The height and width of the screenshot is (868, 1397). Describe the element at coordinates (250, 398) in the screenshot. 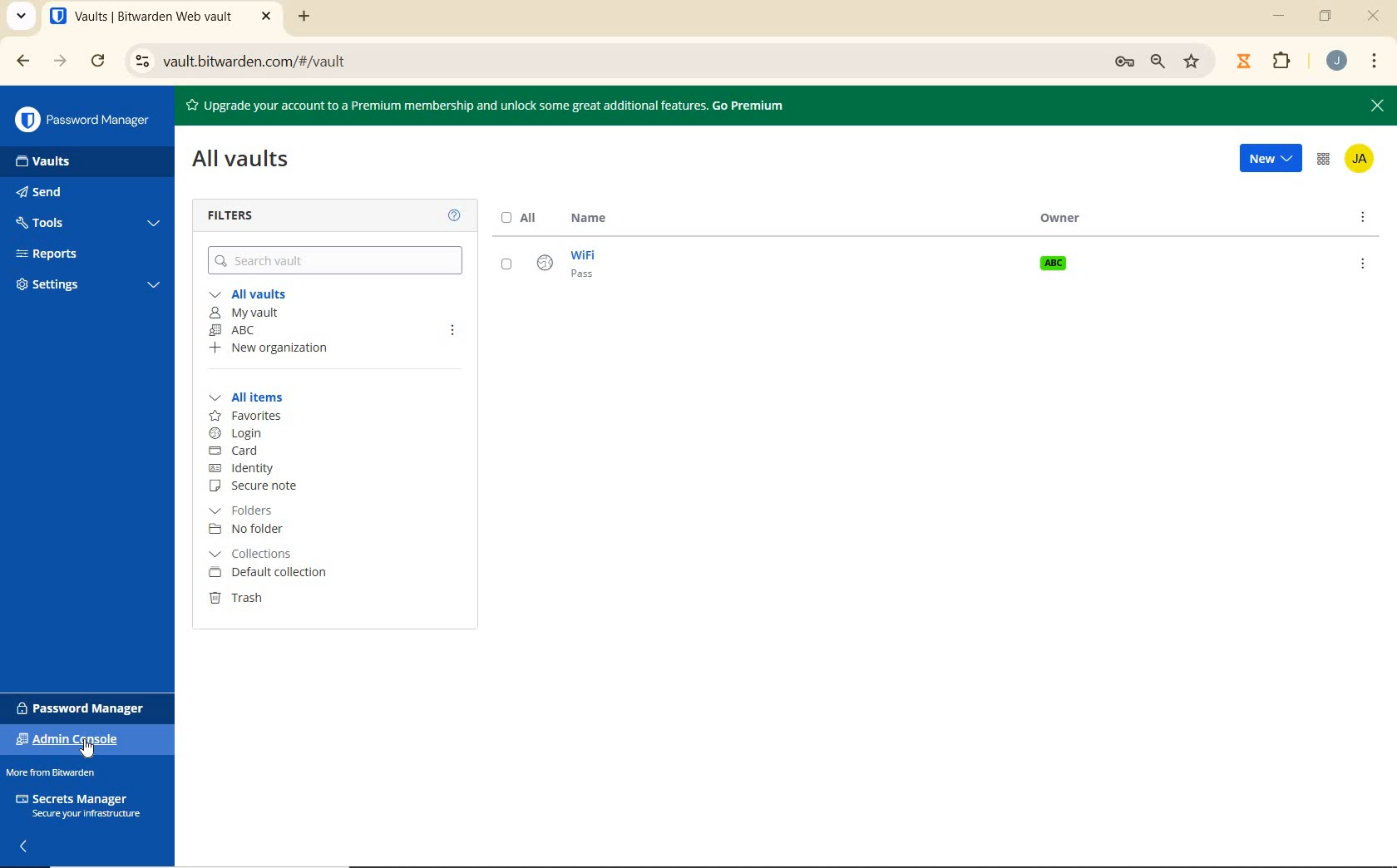

I see `ALL ITEMS` at that location.